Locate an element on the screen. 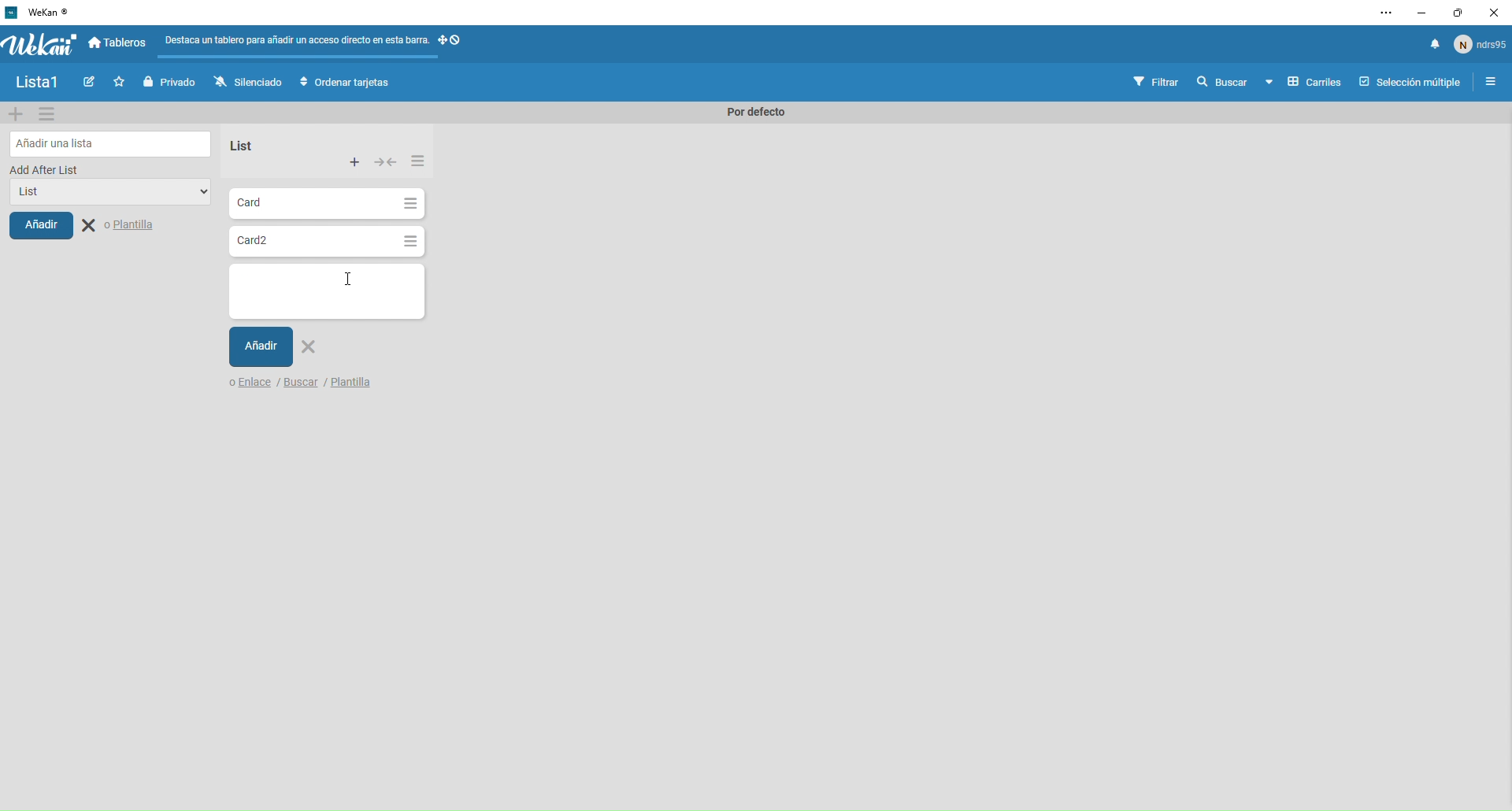 This screenshot has width=1512, height=811. Boars is located at coordinates (119, 44).